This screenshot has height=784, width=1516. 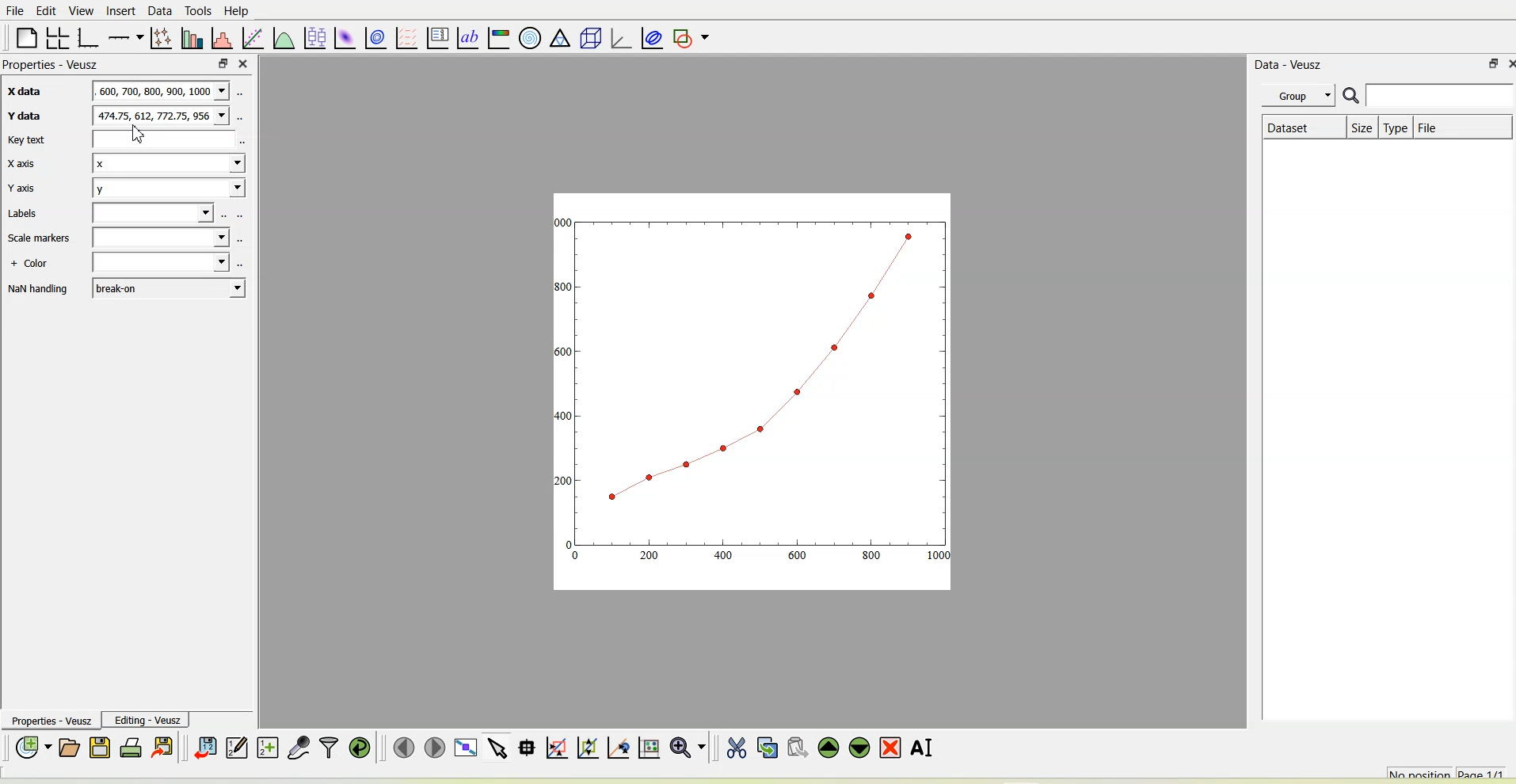 What do you see at coordinates (268, 748) in the screenshot?
I see `Create new datasets using ranges, parametrically or as functions of existing datasets` at bounding box center [268, 748].